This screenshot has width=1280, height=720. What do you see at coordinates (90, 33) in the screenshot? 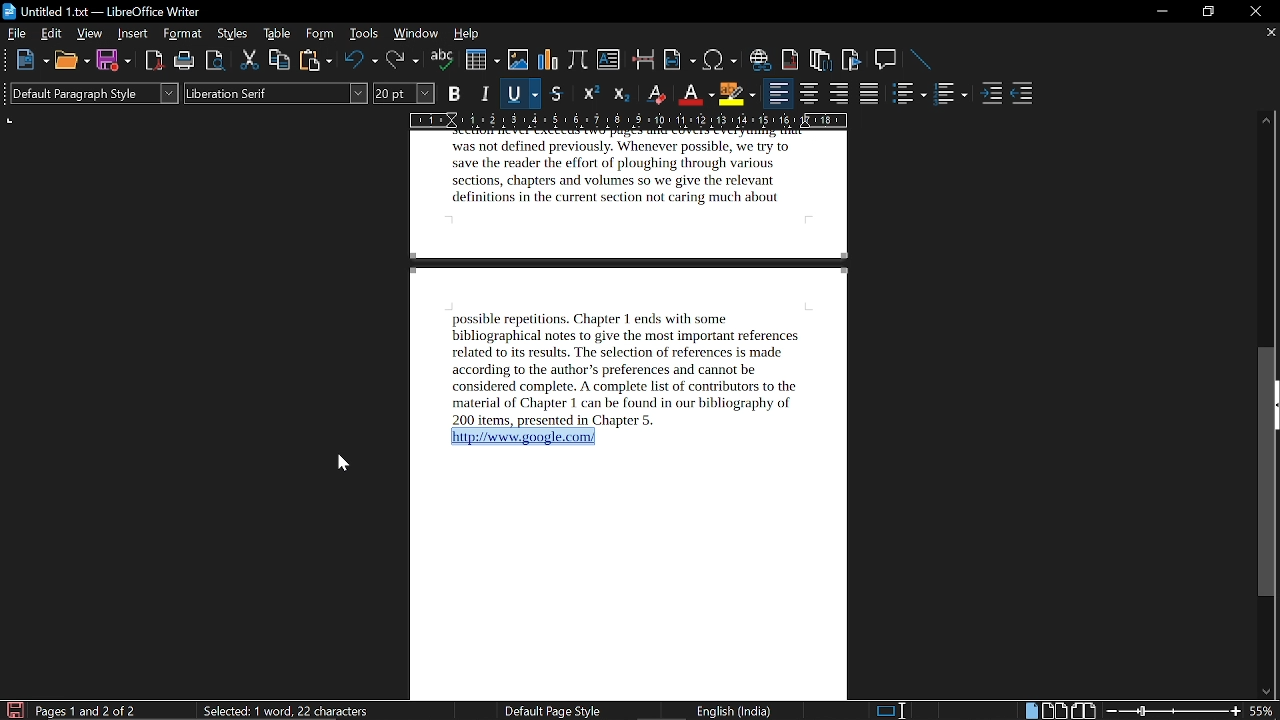
I see `view` at bounding box center [90, 33].